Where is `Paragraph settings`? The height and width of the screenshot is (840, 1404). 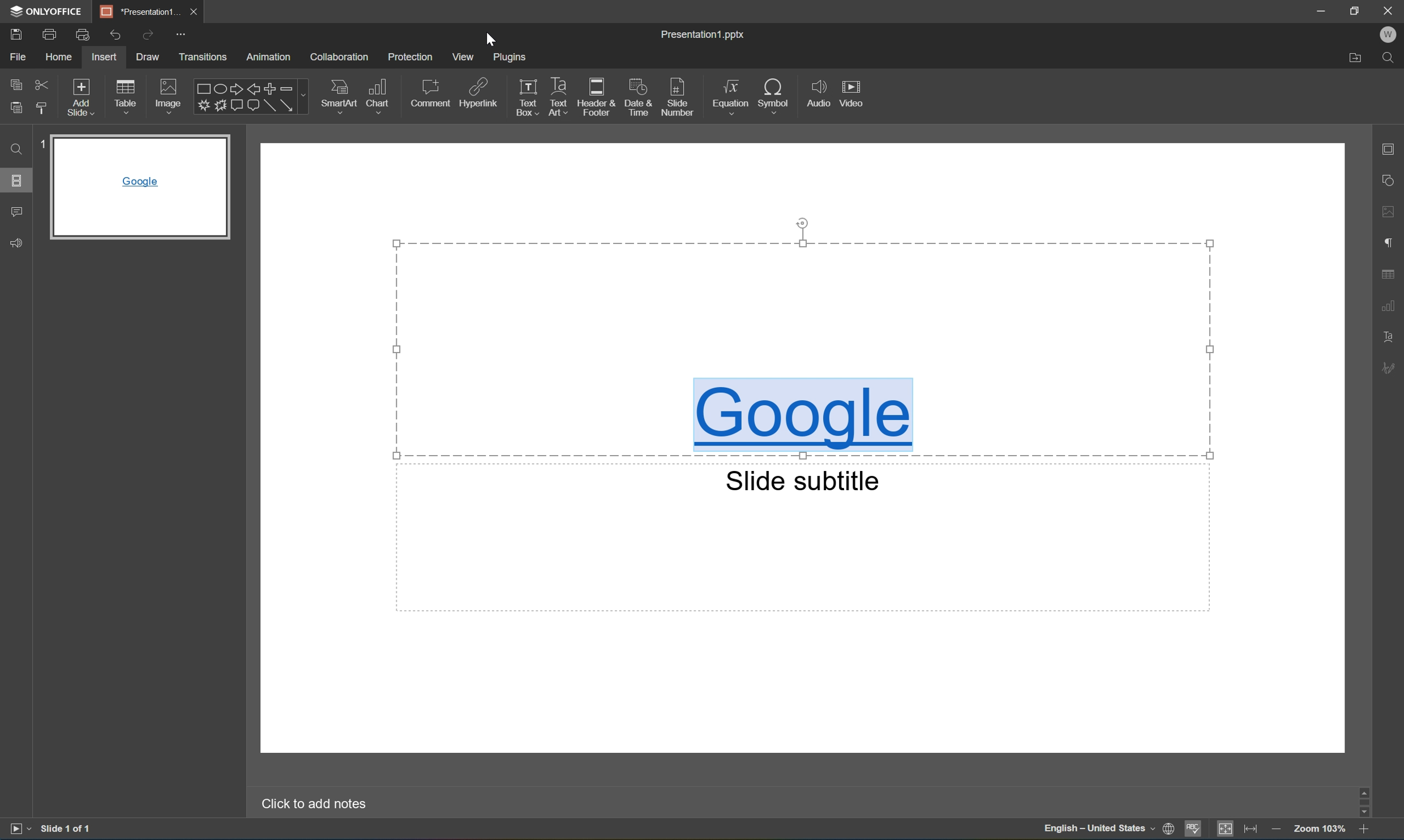
Paragraph settings is located at coordinates (1387, 244).